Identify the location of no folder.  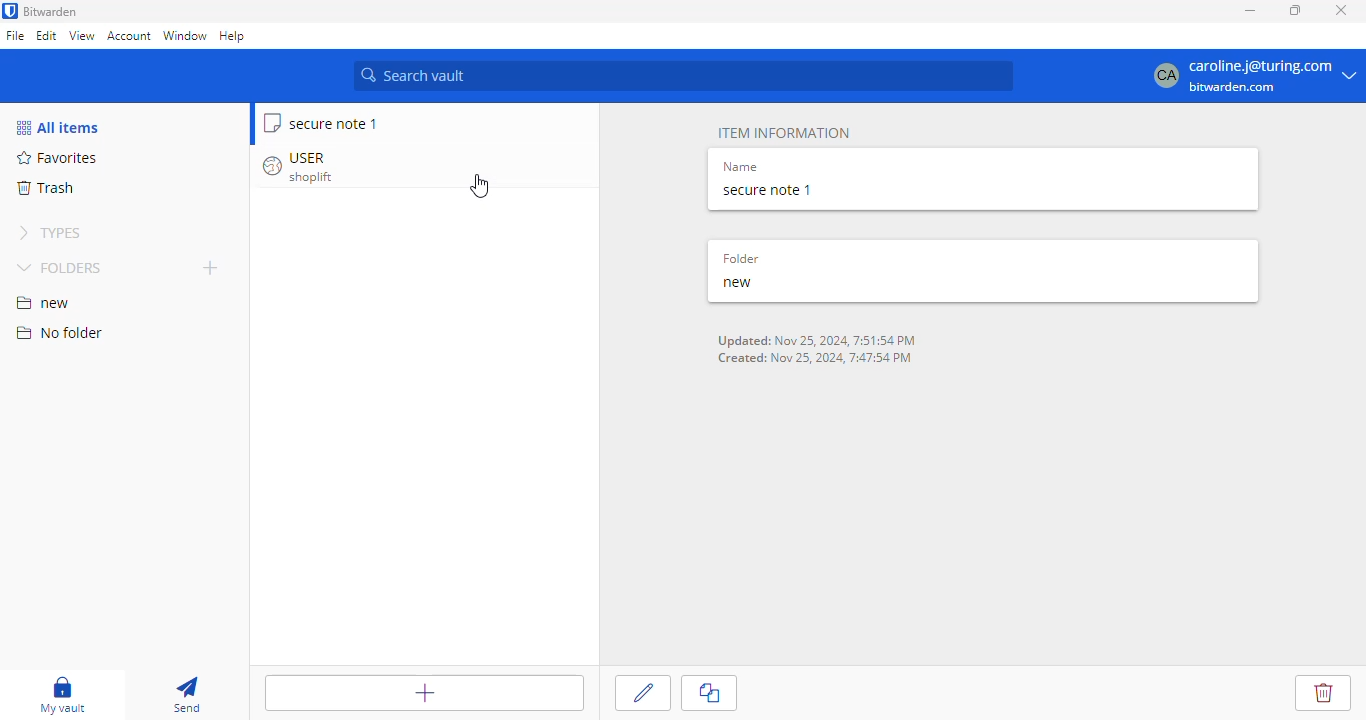
(60, 334).